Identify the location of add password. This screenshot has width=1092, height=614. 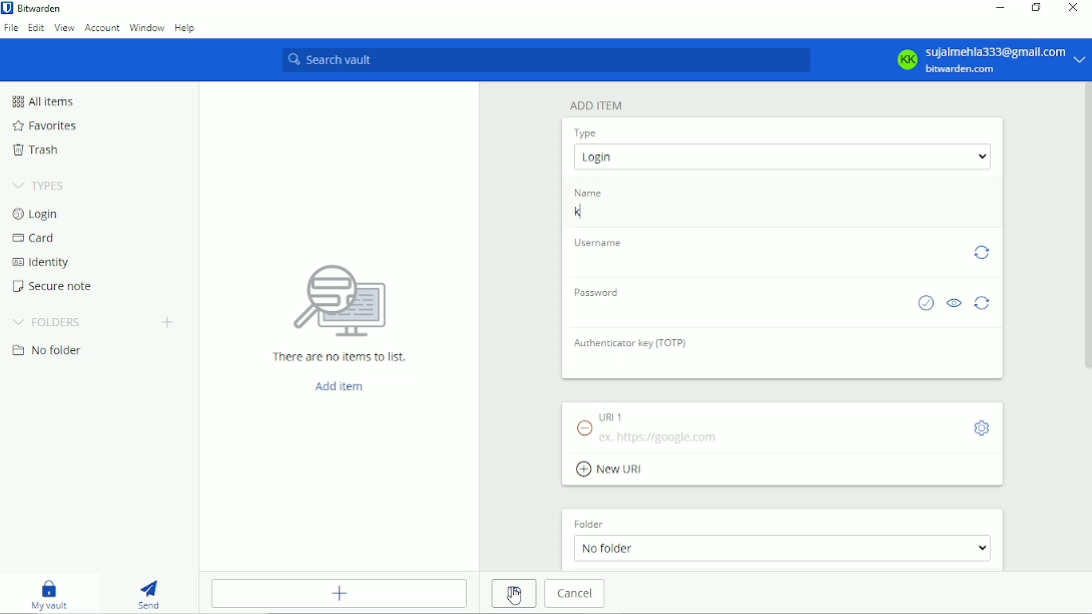
(736, 311).